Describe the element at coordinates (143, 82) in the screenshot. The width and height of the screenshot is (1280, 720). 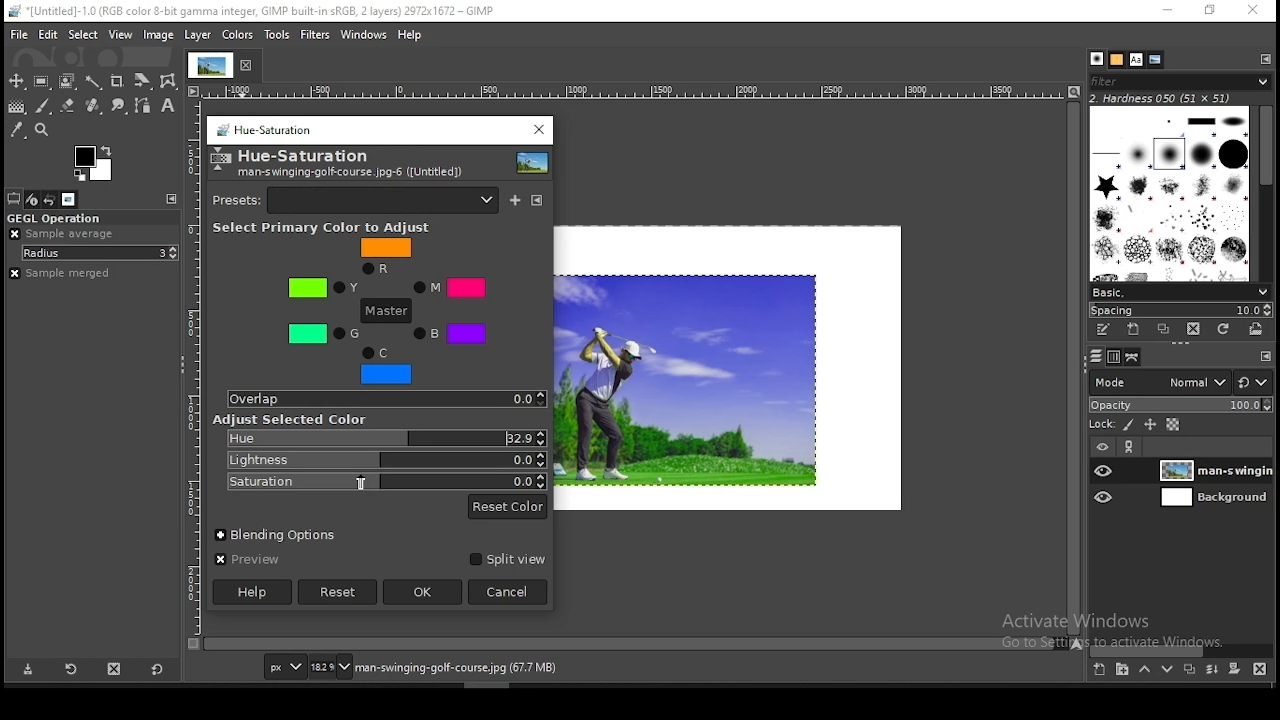
I see `crop tool` at that location.